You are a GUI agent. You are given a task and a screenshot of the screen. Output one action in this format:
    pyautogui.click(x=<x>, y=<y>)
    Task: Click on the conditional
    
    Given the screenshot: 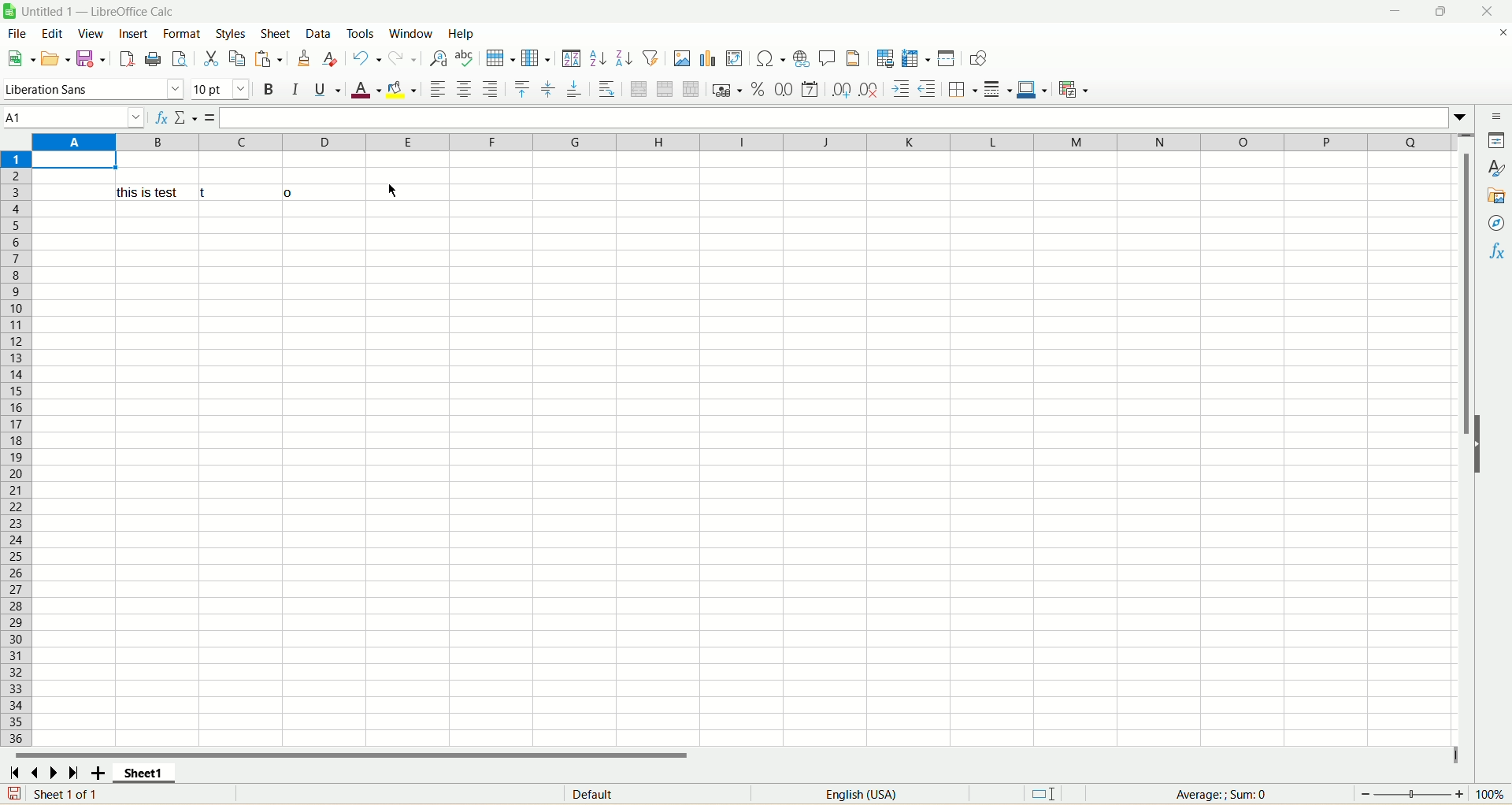 What is the action you would take?
    pyautogui.click(x=1075, y=90)
    